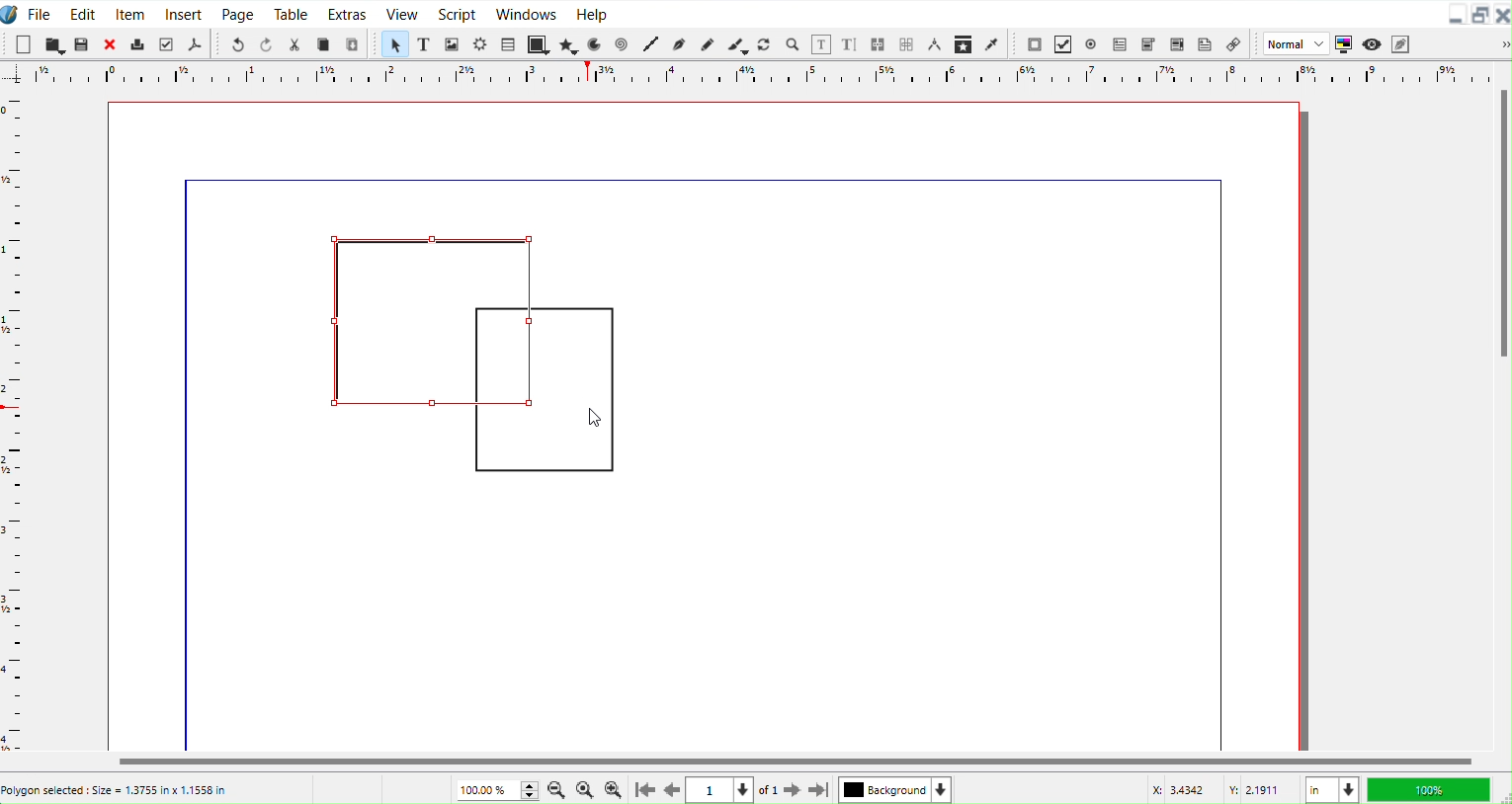  I want to click on Measurements, so click(936, 45).